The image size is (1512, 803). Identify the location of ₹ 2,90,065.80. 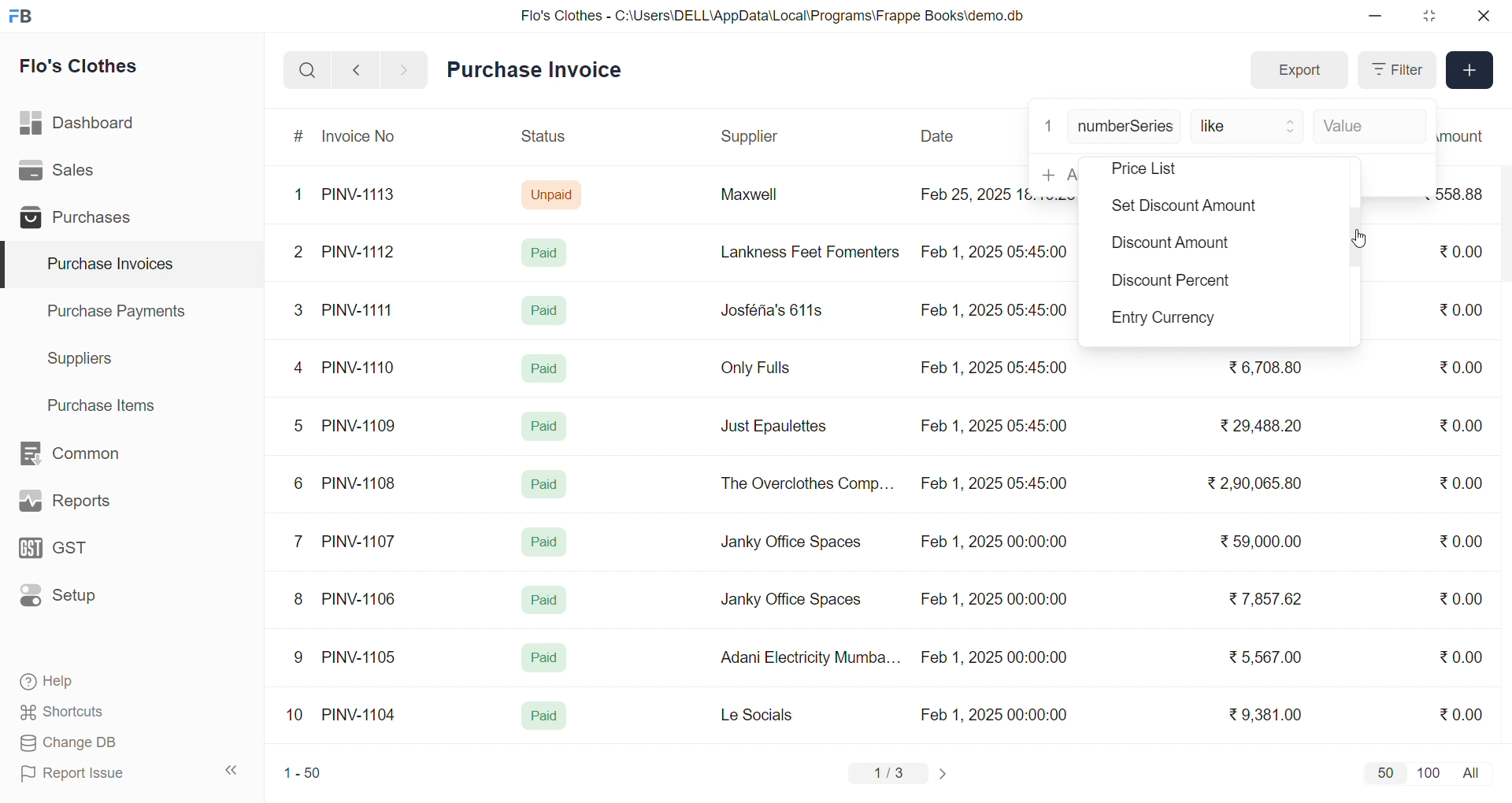
(1256, 484).